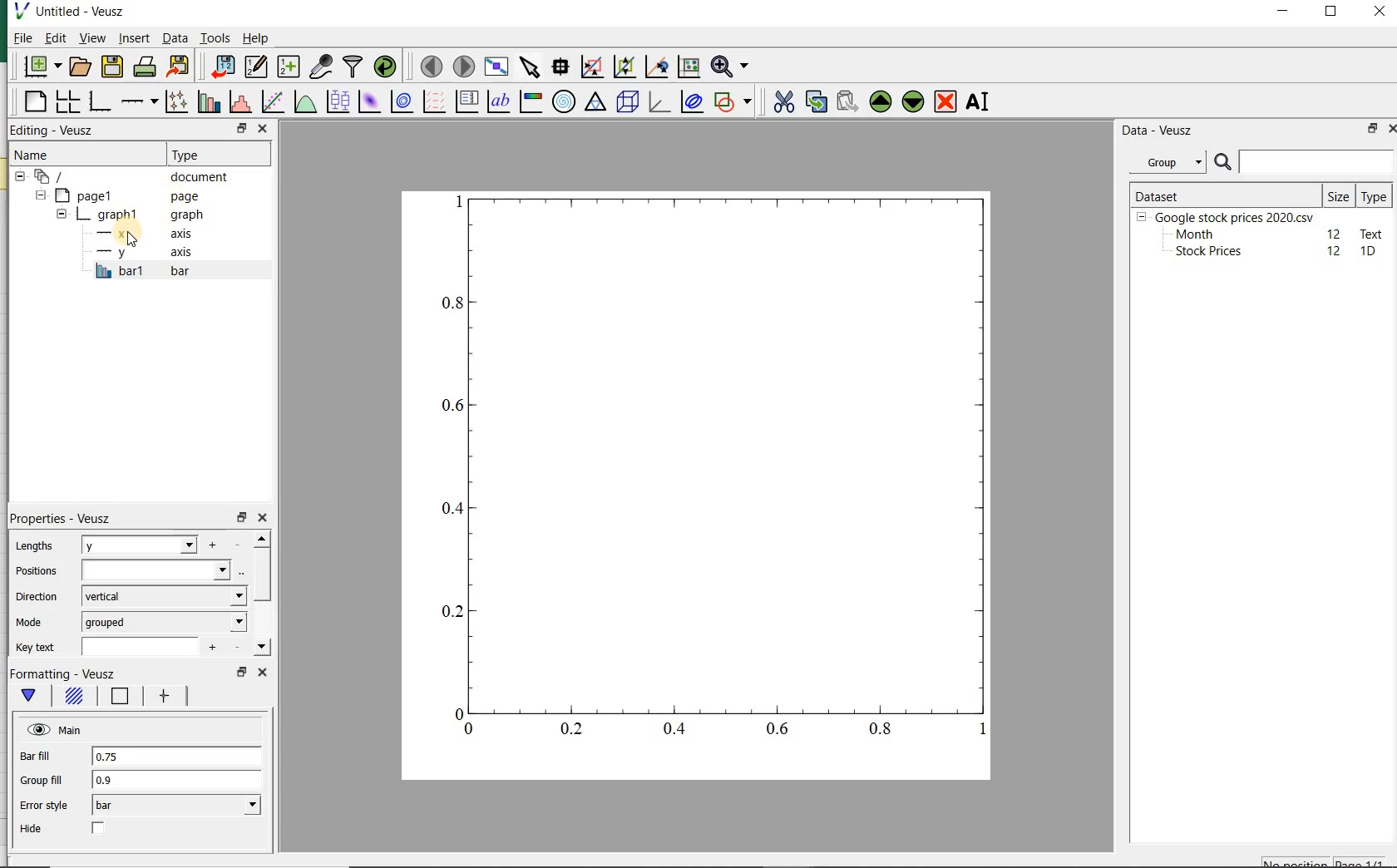 This screenshot has width=1397, height=868. Describe the element at coordinates (262, 128) in the screenshot. I see `close` at that location.